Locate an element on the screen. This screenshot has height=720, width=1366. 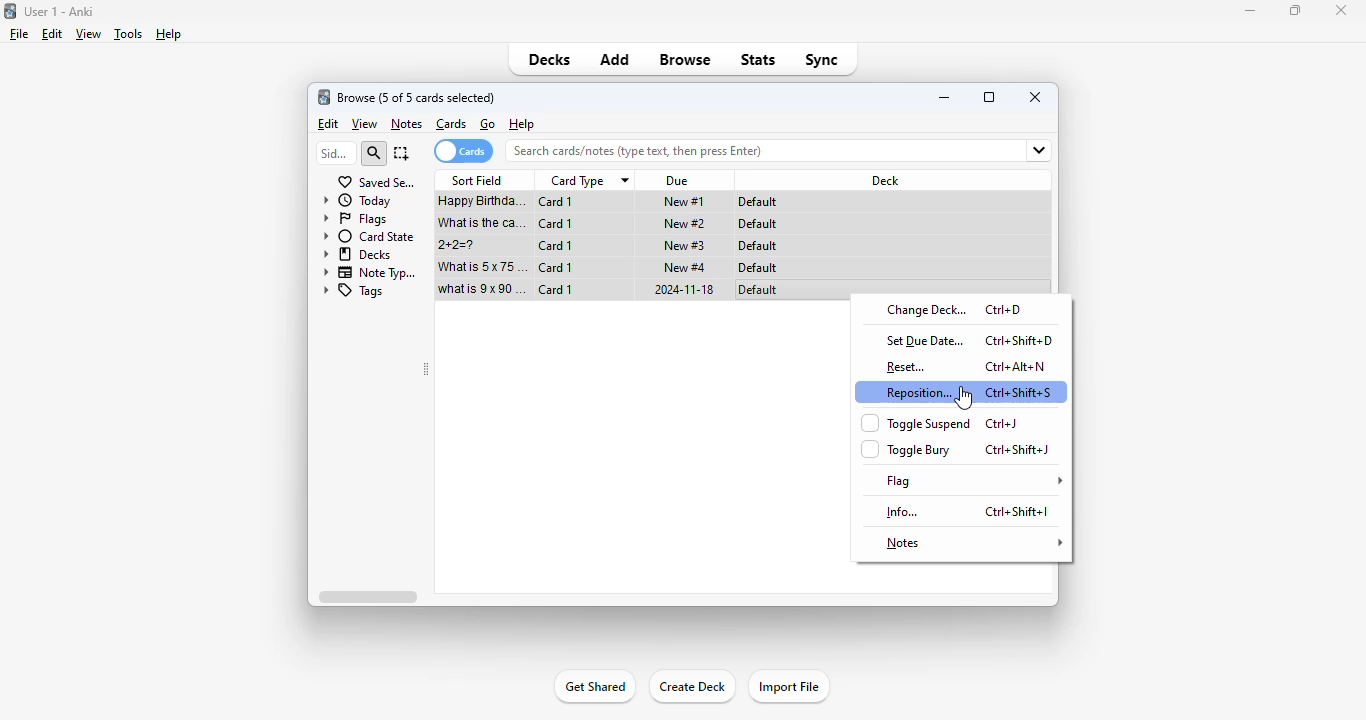
browse (1 of 5 cards selected) is located at coordinates (416, 98).